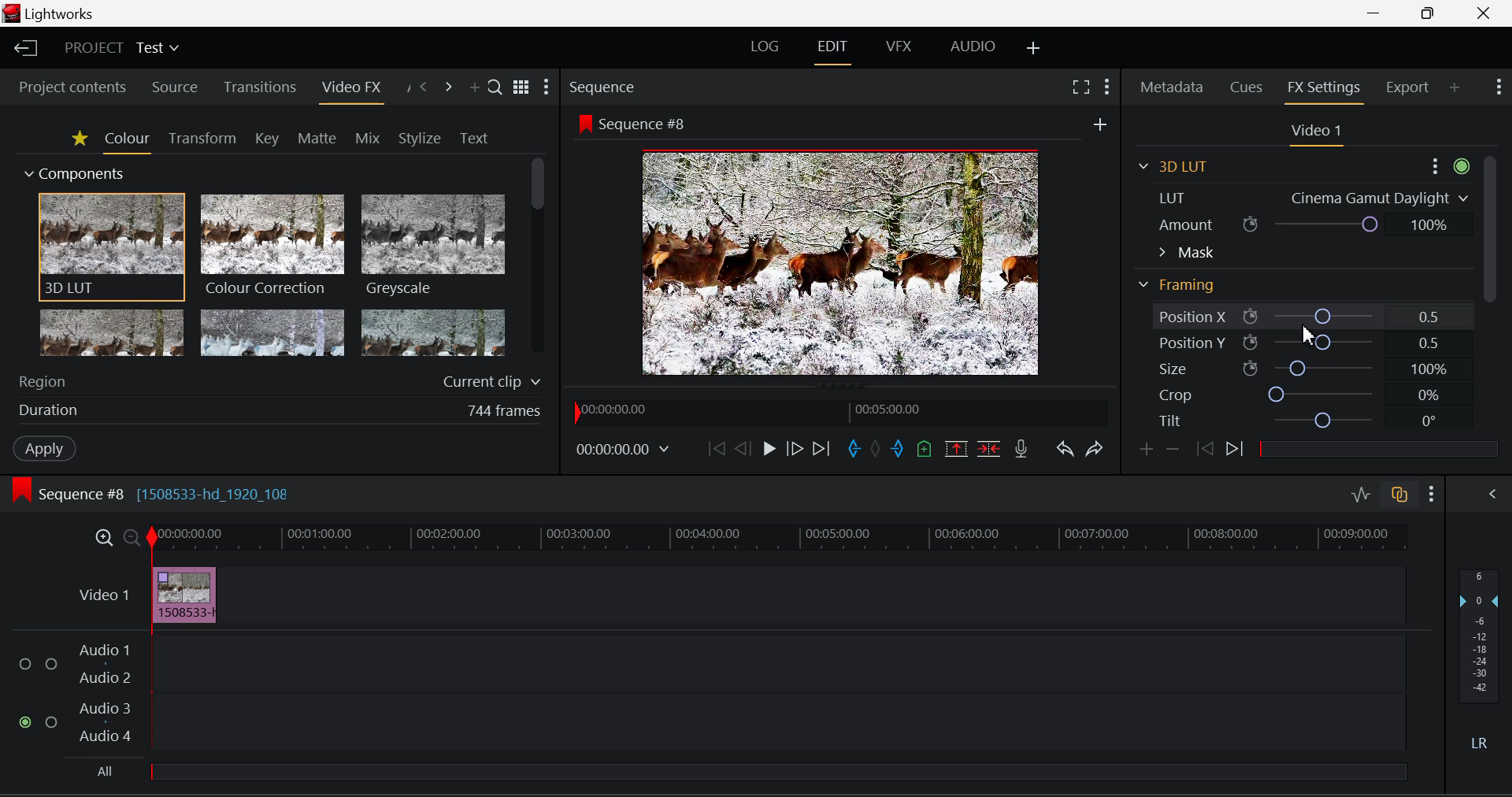  Describe the element at coordinates (1489, 13) in the screenshot. I see `Close` at that location.